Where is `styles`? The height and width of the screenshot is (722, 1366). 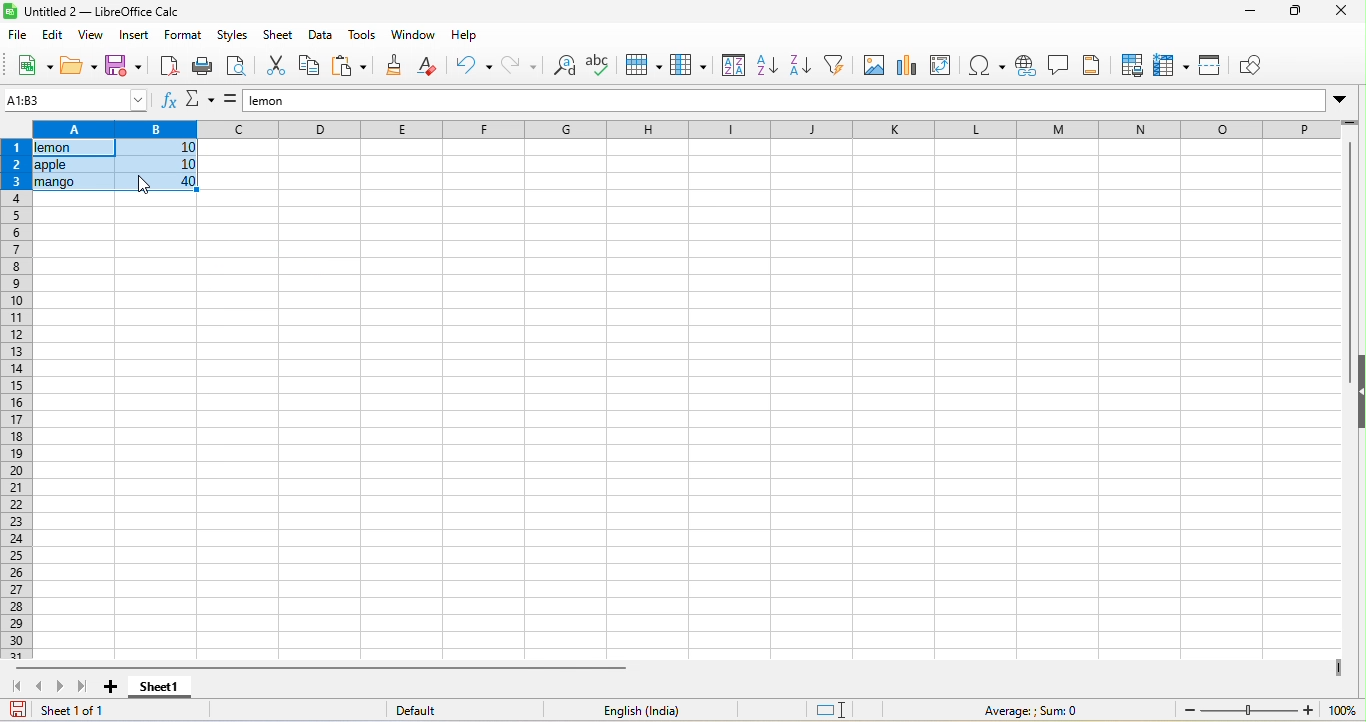
styles is located at coordinates (237, 37).